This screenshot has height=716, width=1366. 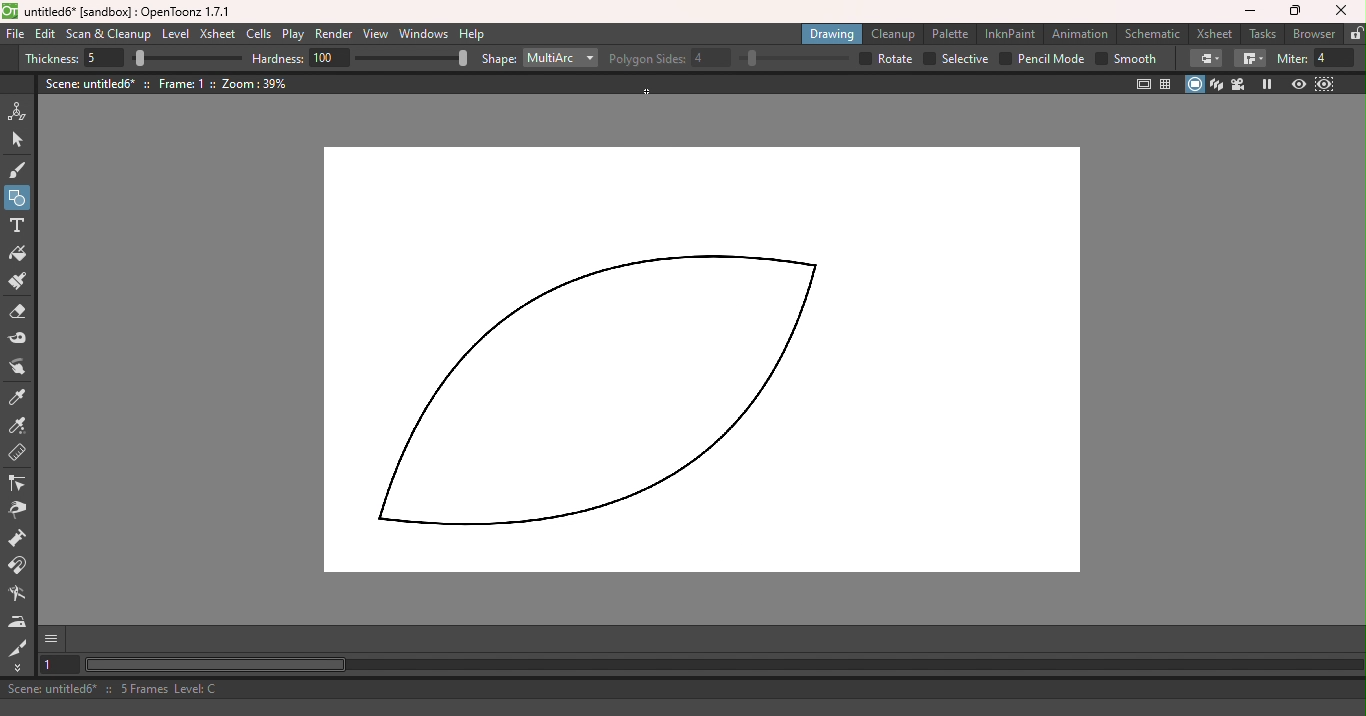 I want to click on More tools, so click(x=18, y=667).